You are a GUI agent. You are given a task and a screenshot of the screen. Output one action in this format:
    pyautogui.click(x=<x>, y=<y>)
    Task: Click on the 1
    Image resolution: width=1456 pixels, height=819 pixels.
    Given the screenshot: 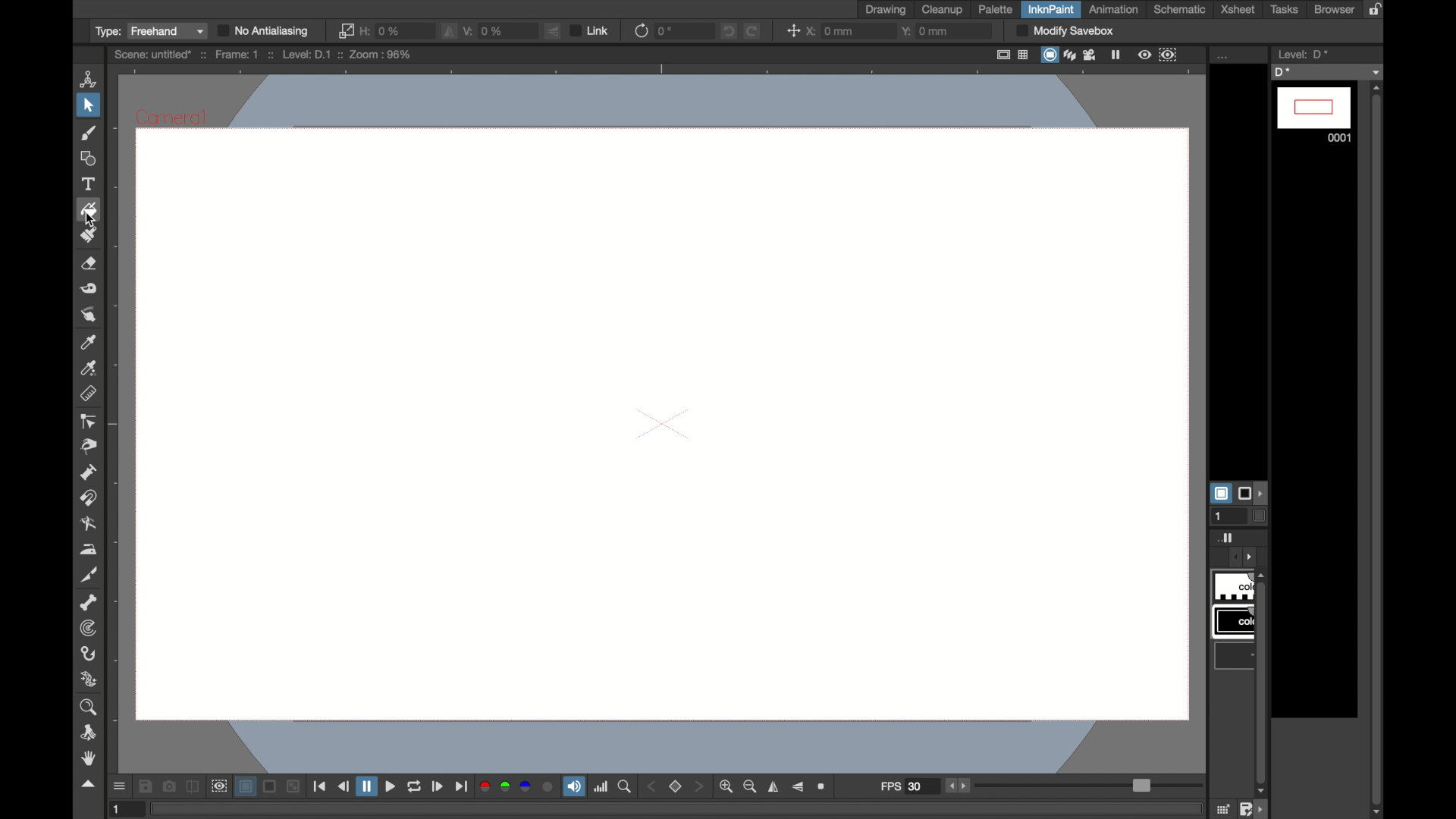 What is the action you would take?
    pyautogui.click(x=122, y=810)
    